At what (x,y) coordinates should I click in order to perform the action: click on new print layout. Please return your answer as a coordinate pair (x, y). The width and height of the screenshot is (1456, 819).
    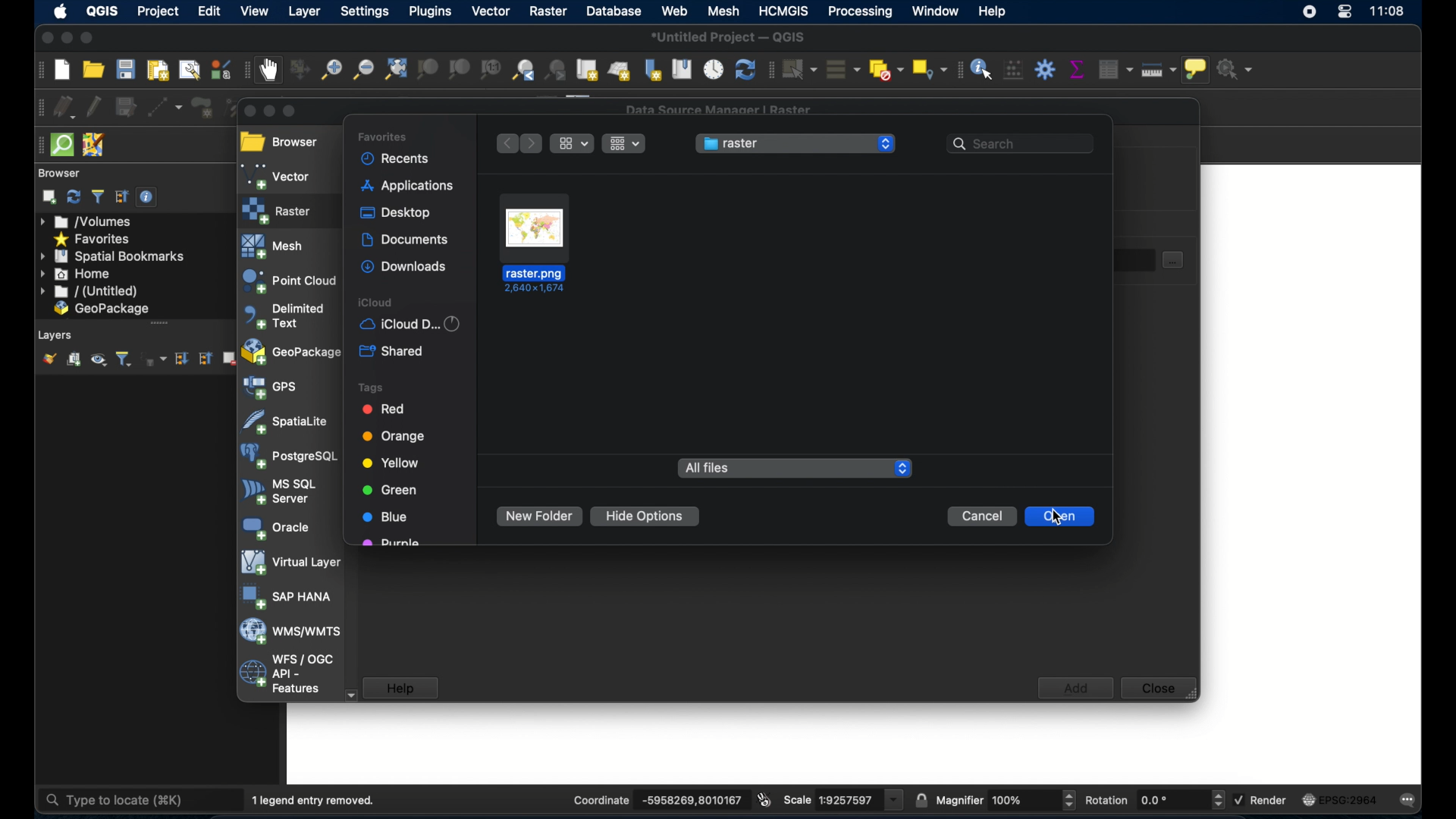
    Looking at the image, I should click on (158, 70).